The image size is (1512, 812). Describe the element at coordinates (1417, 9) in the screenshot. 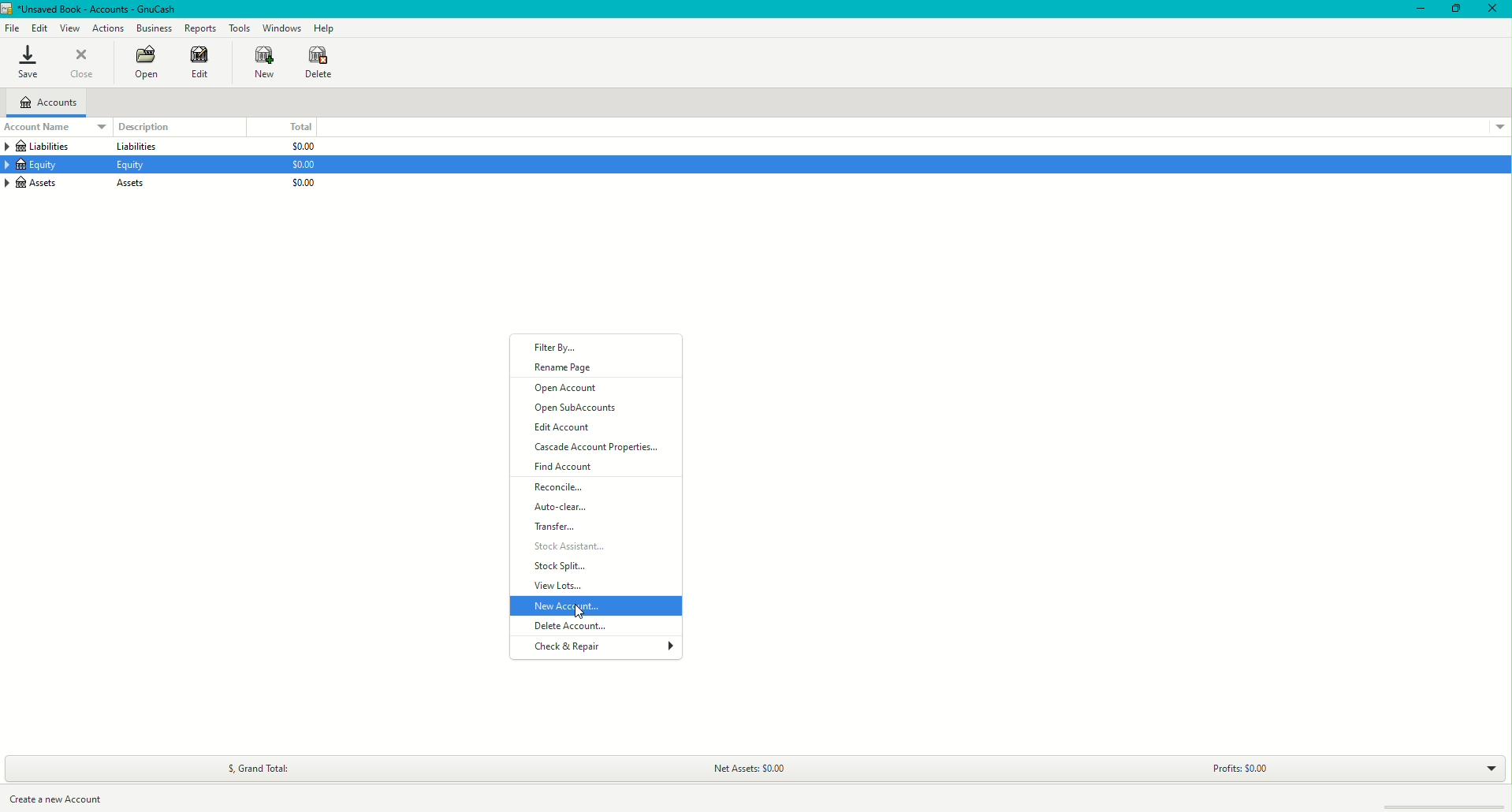

I see `Minimize` at that location.